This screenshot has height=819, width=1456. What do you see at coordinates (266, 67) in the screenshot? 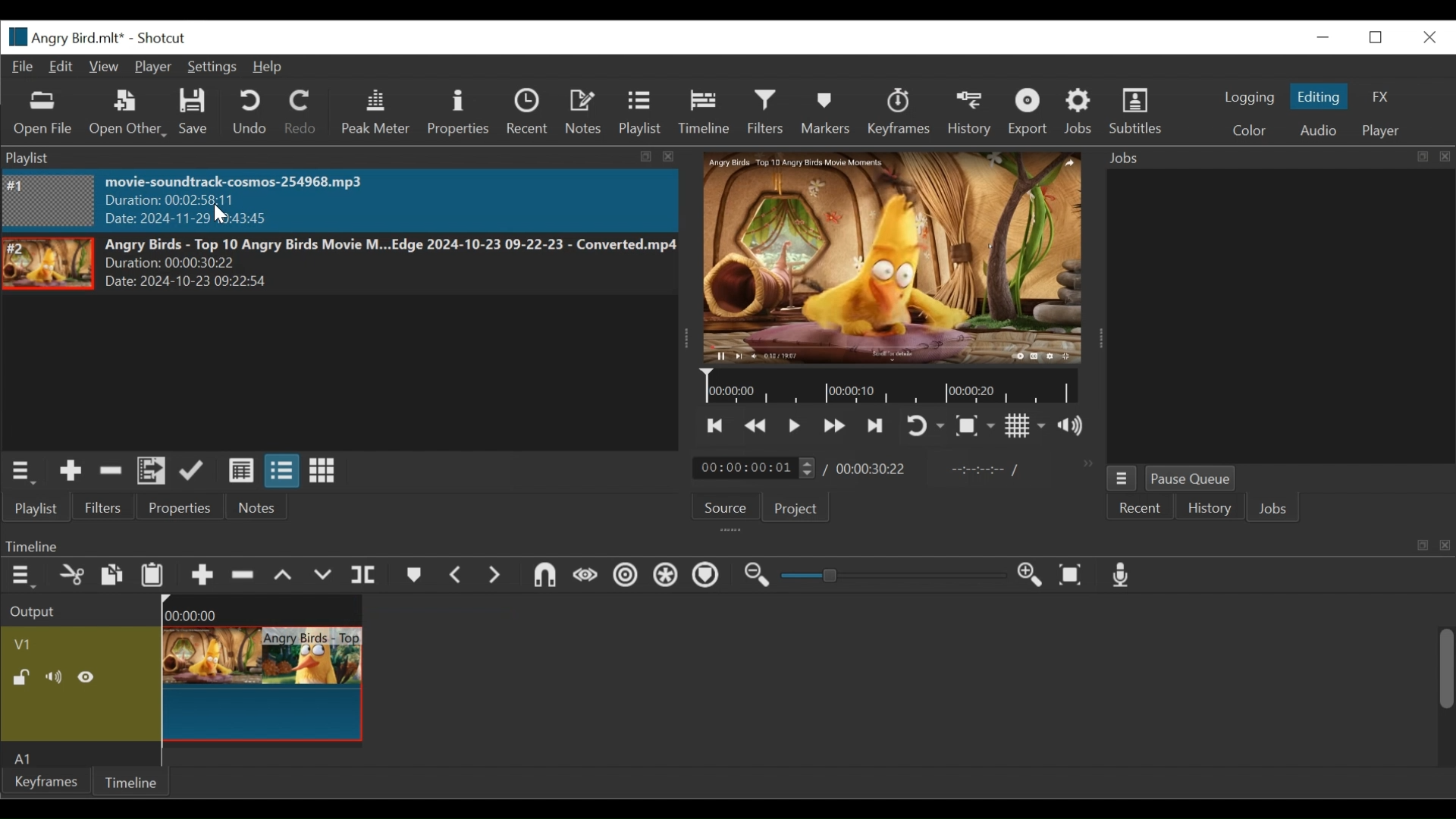
I see `Help` at bounding box center [266, 67].